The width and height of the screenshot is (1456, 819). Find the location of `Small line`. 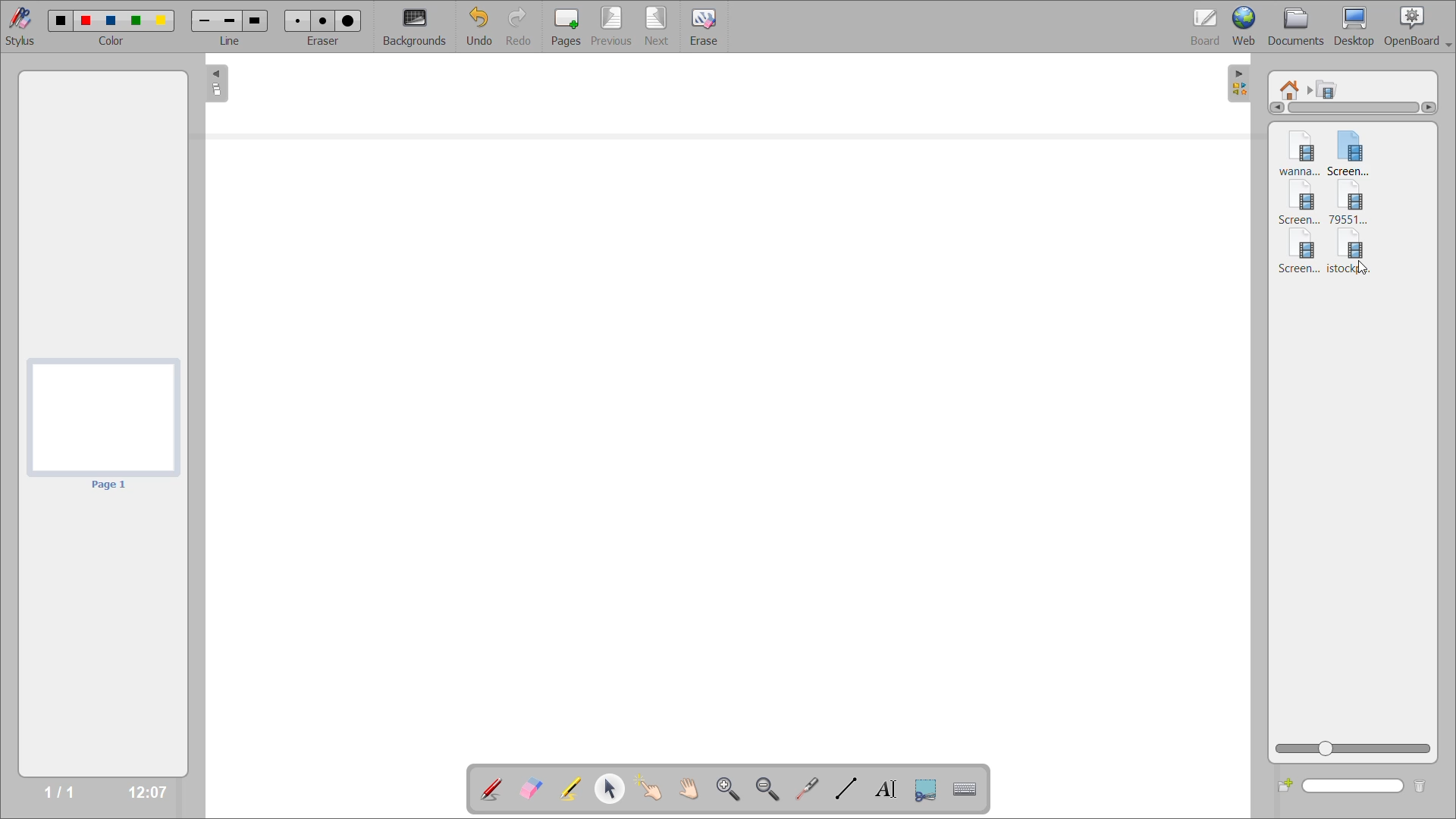

Small line is located at coordinates (202, 21).